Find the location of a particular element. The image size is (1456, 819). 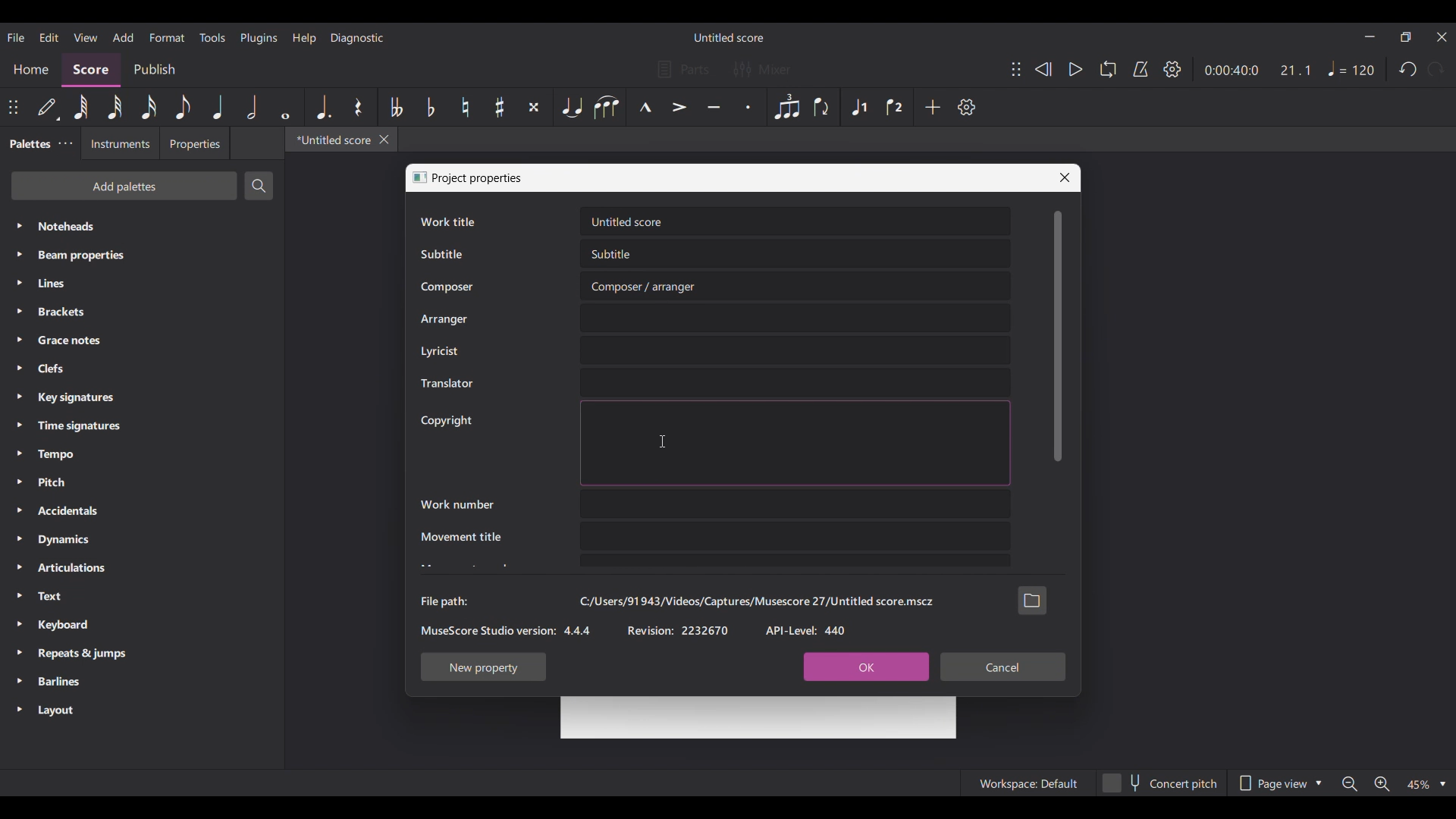

Quarter note is located at coordinates (218, 107).